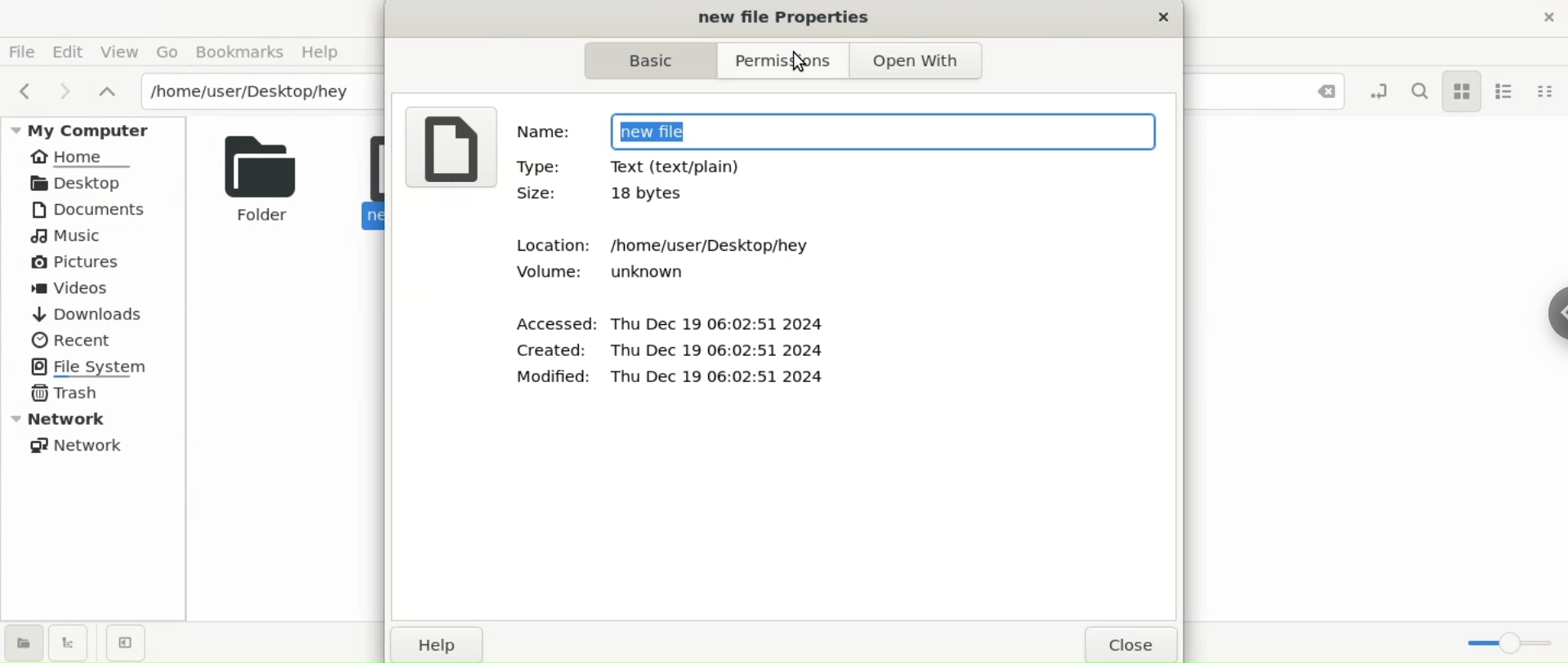  Describe the element at coordinates (1420, 90) in the screenshot. I see `search` at that location.